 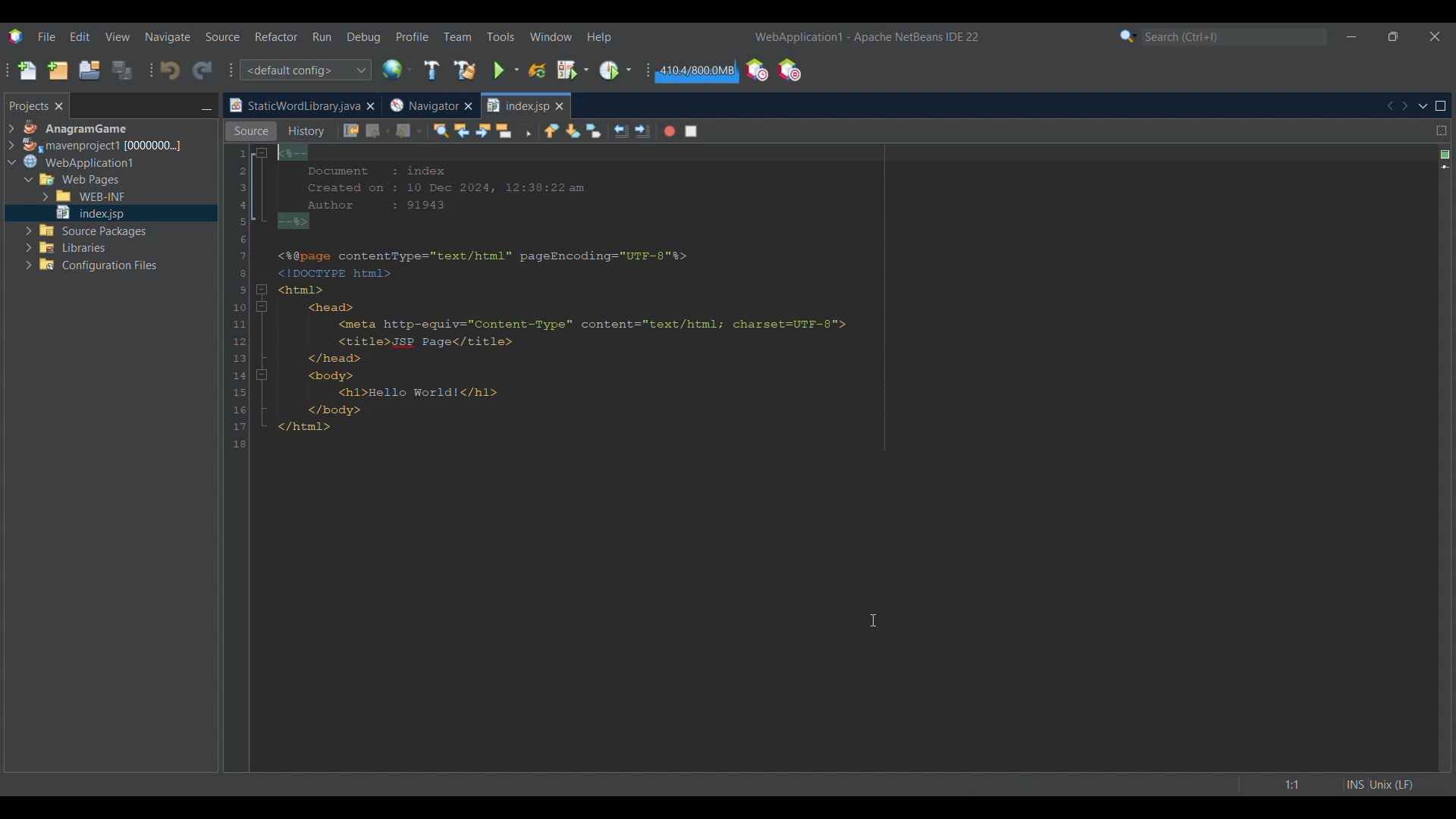 What do you see at coordinates (397, 69) in the screenshot?
I see `Configure window` at bounding box center [397, 69].